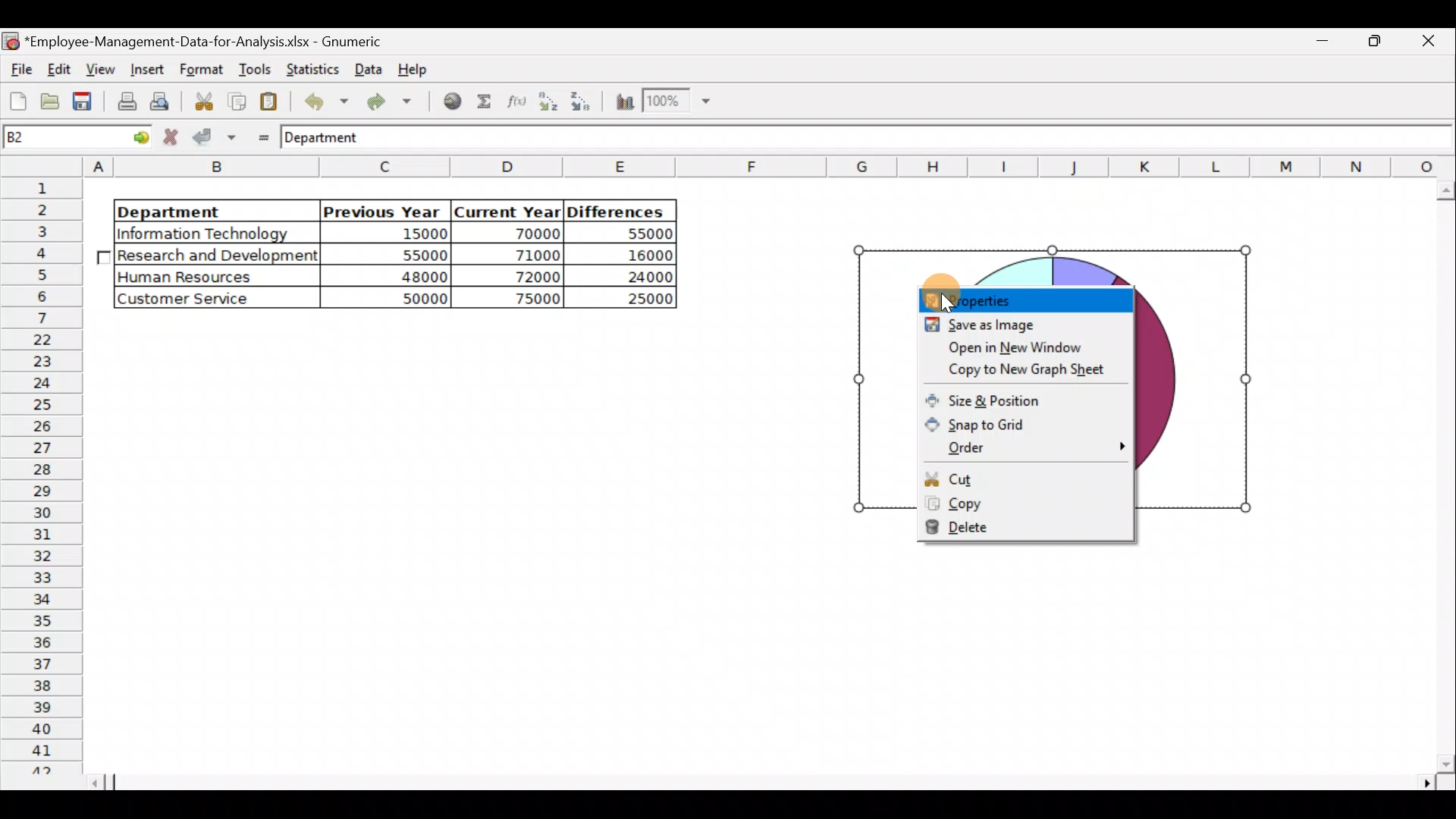  Describe the element at coordinates (1028, 347) in the screenshot. I see `Open in new window` at that location.